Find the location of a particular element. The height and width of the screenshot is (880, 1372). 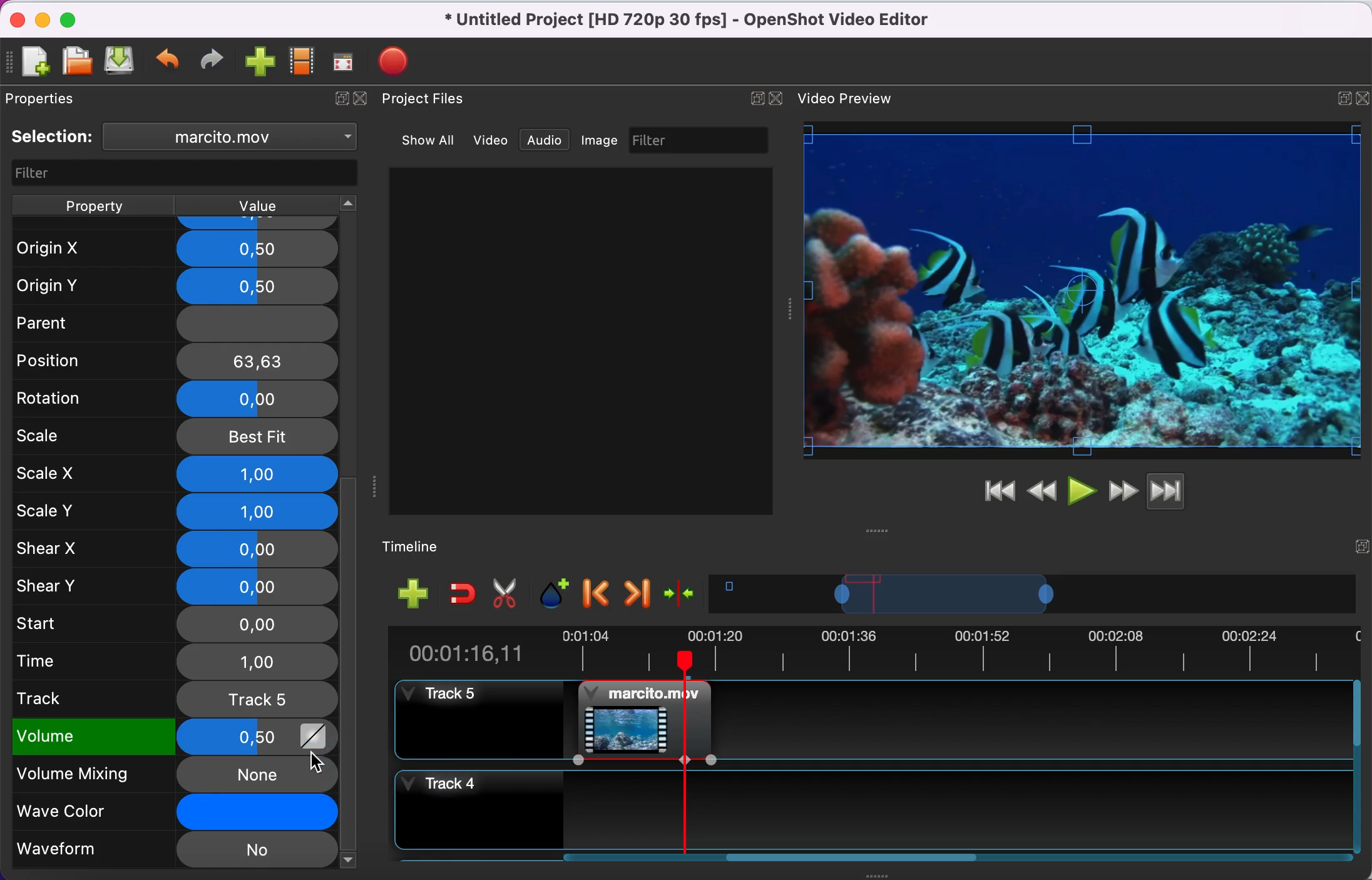

rotation 0 is located at coordinates (170, 398).